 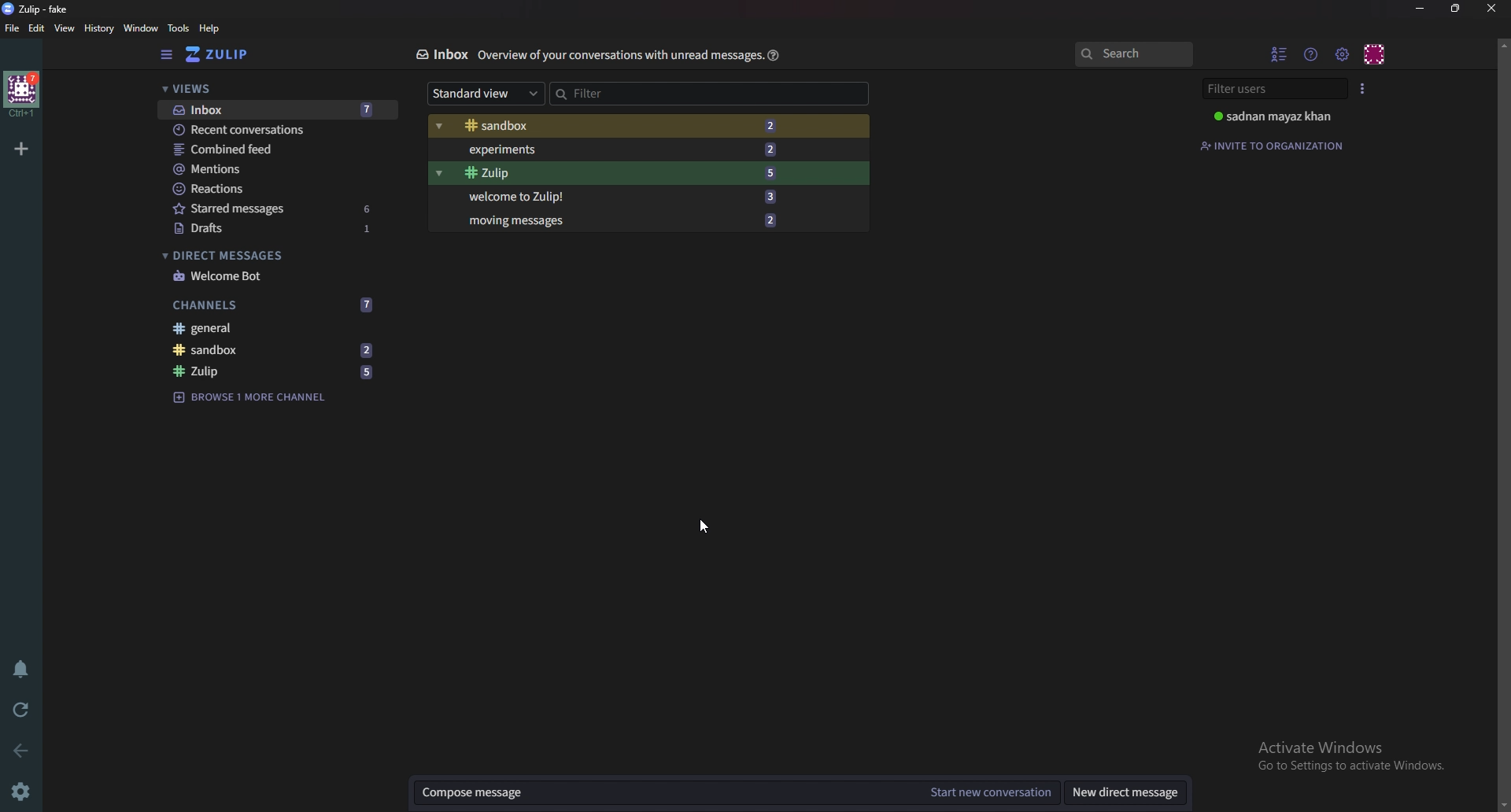 I want to click on Sandbox, so click(x=268, y=349).